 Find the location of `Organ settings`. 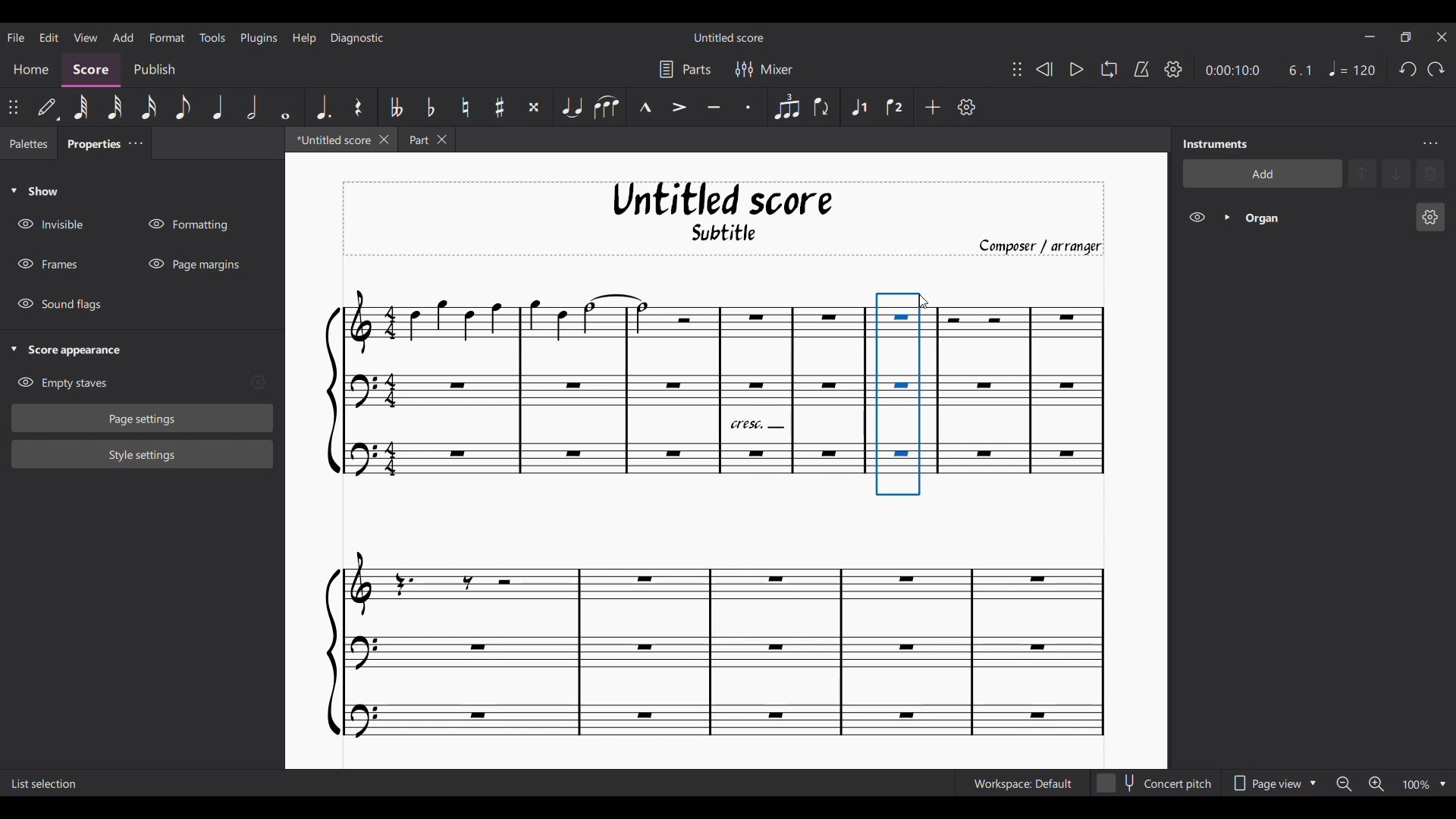

Organ settings is located at coordinates (1429, 217).